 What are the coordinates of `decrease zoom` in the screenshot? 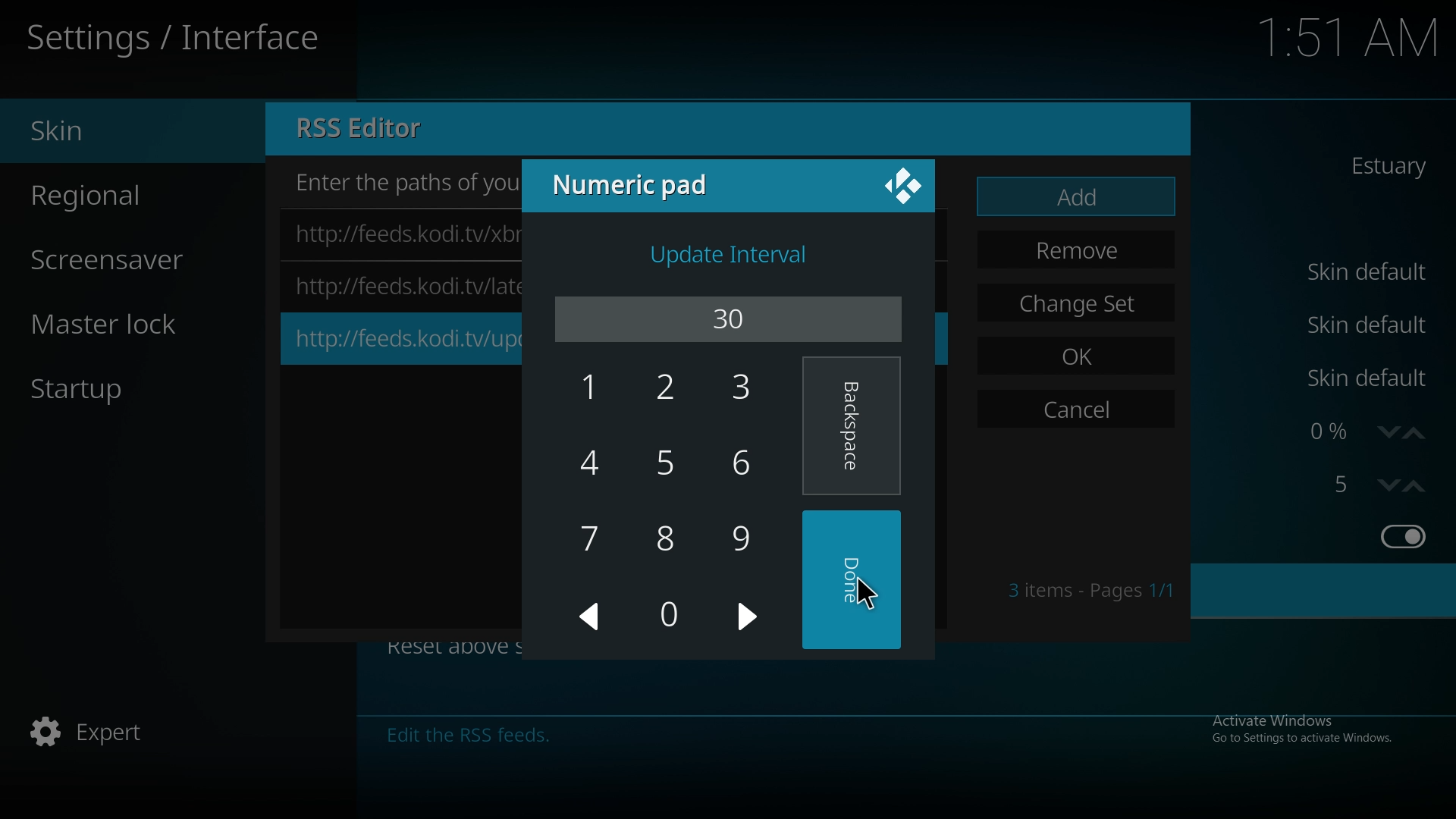 It's located at (1385, 434).